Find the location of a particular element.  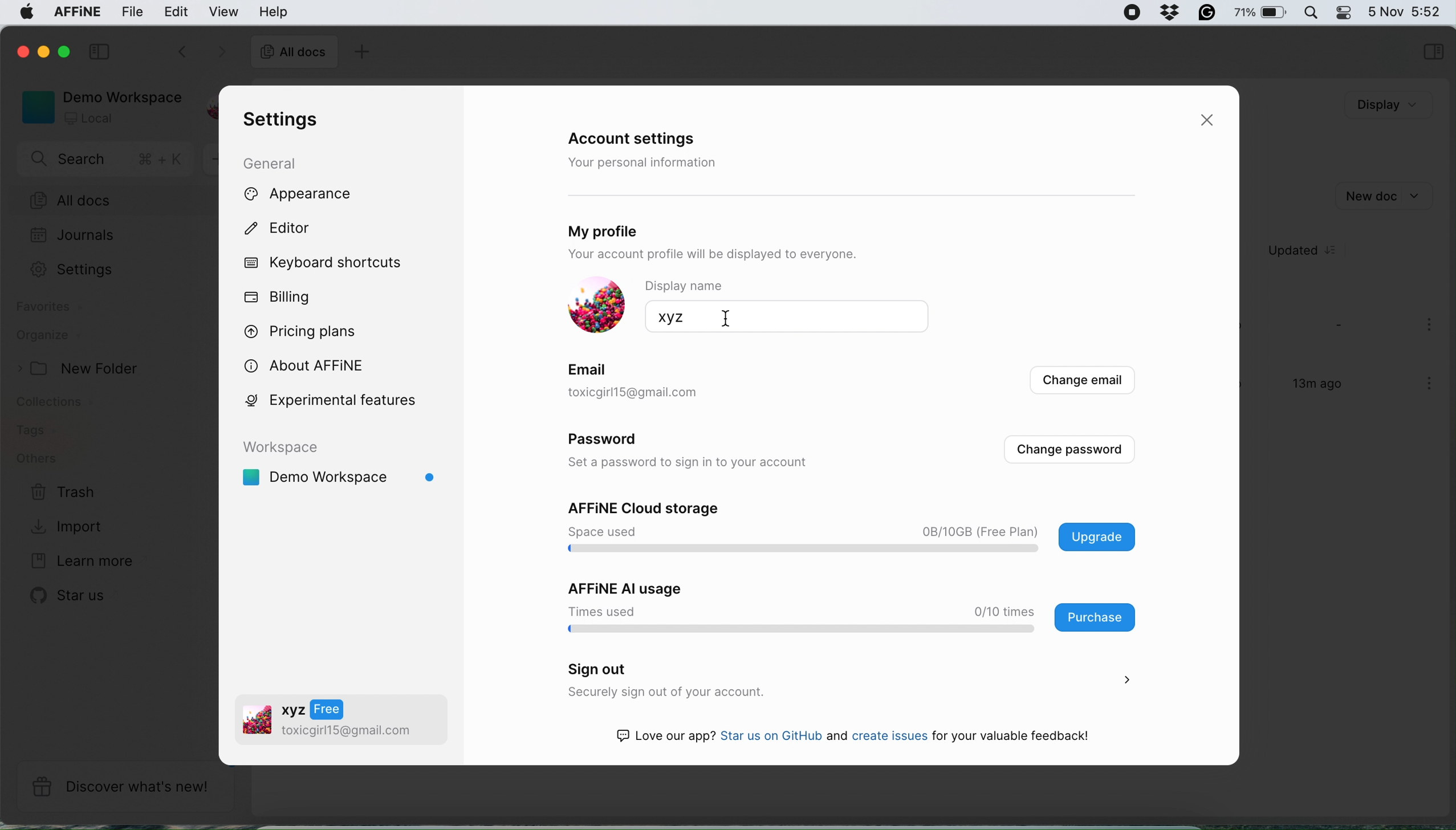

new folder is located at coordinates (83, 369).